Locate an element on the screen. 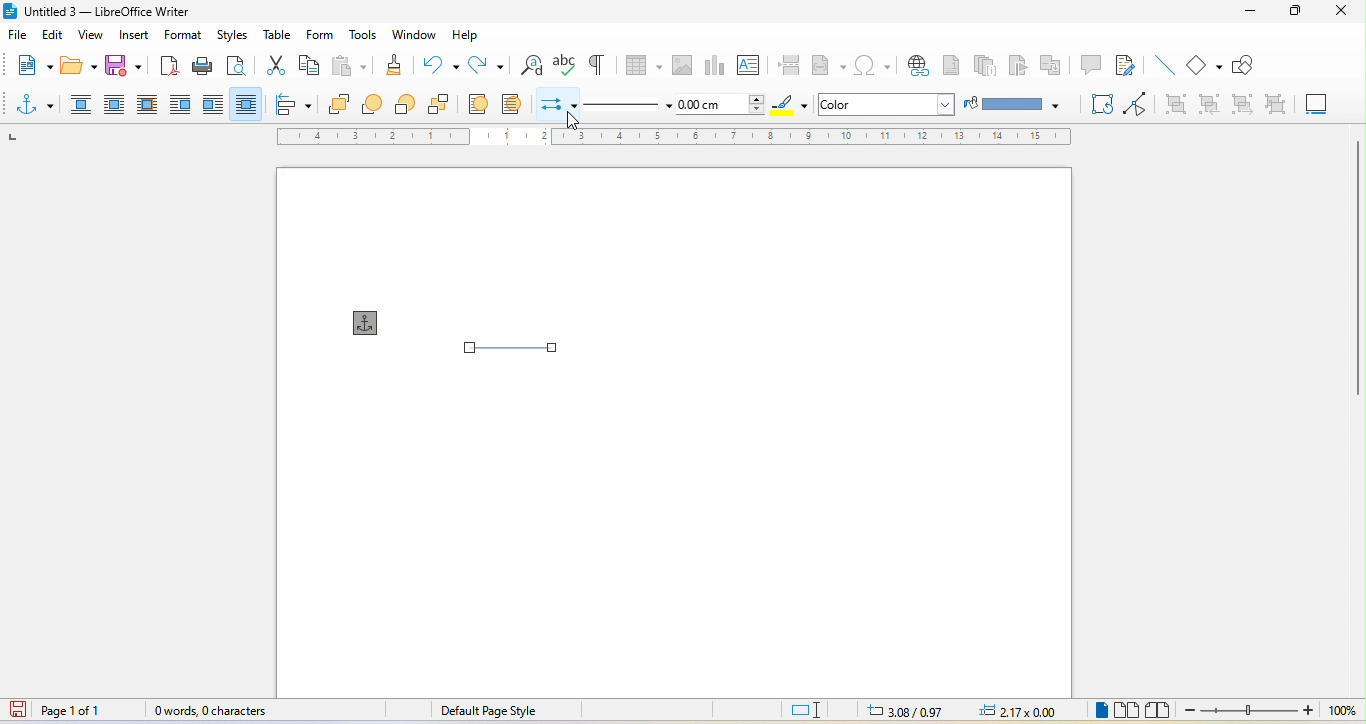 This screenshot has height=724, width=1366. toggle point edit mode is located at coordinates (1142, 103).